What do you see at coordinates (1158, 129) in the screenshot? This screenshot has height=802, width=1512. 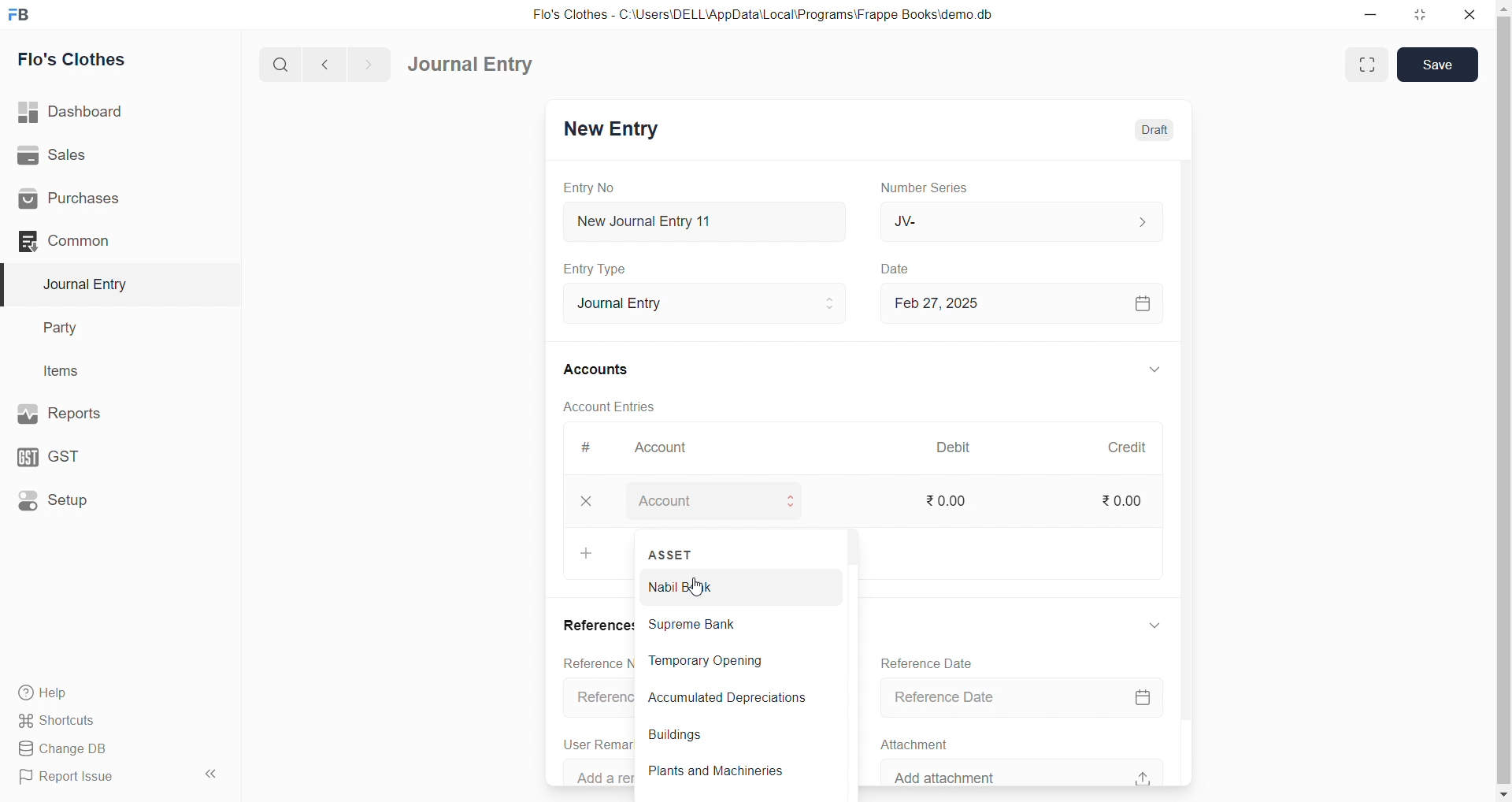 I see `Draft` at bounding box center [1158, 129].